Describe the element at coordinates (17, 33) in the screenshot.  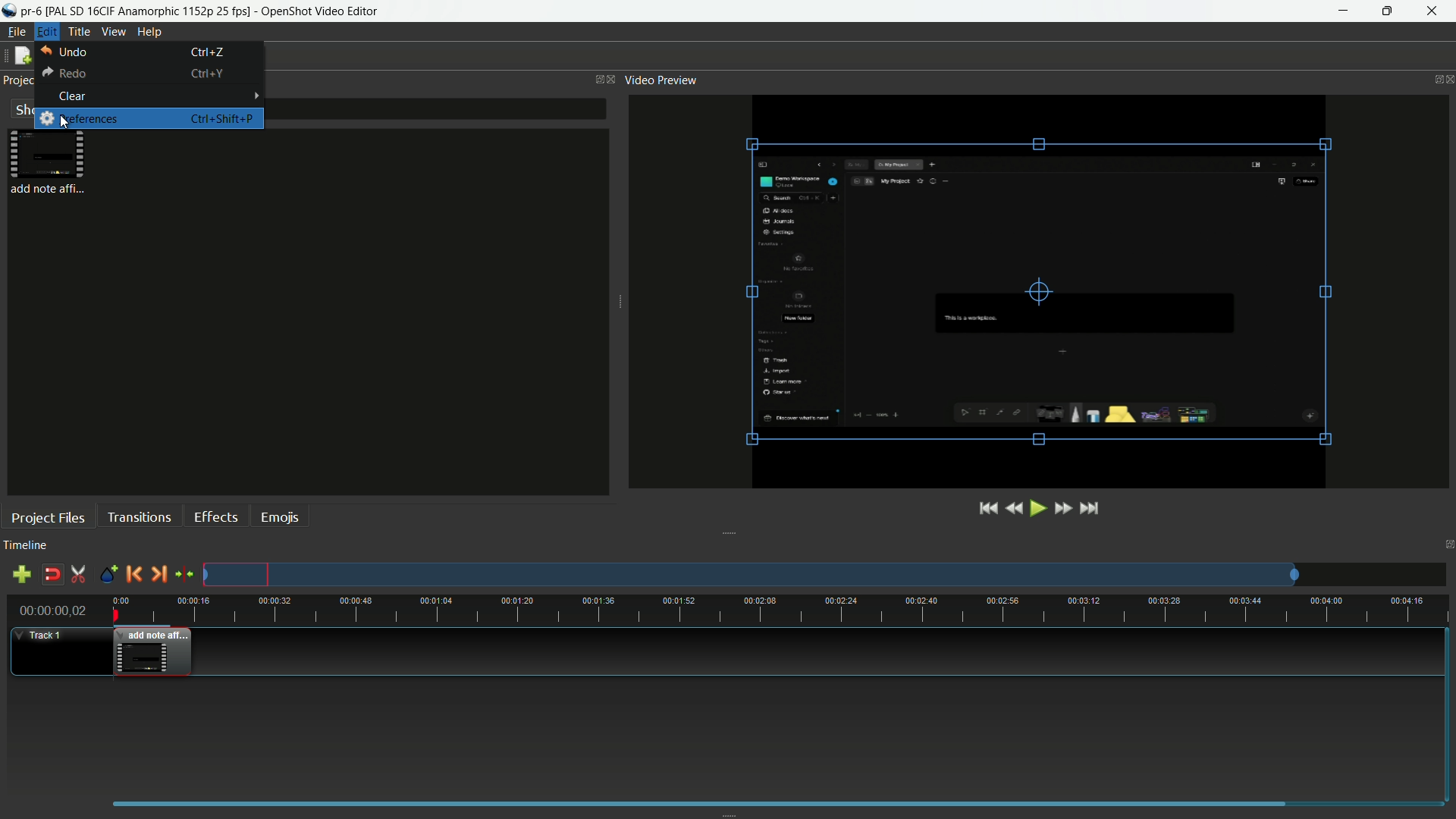
I see `File` at that location.